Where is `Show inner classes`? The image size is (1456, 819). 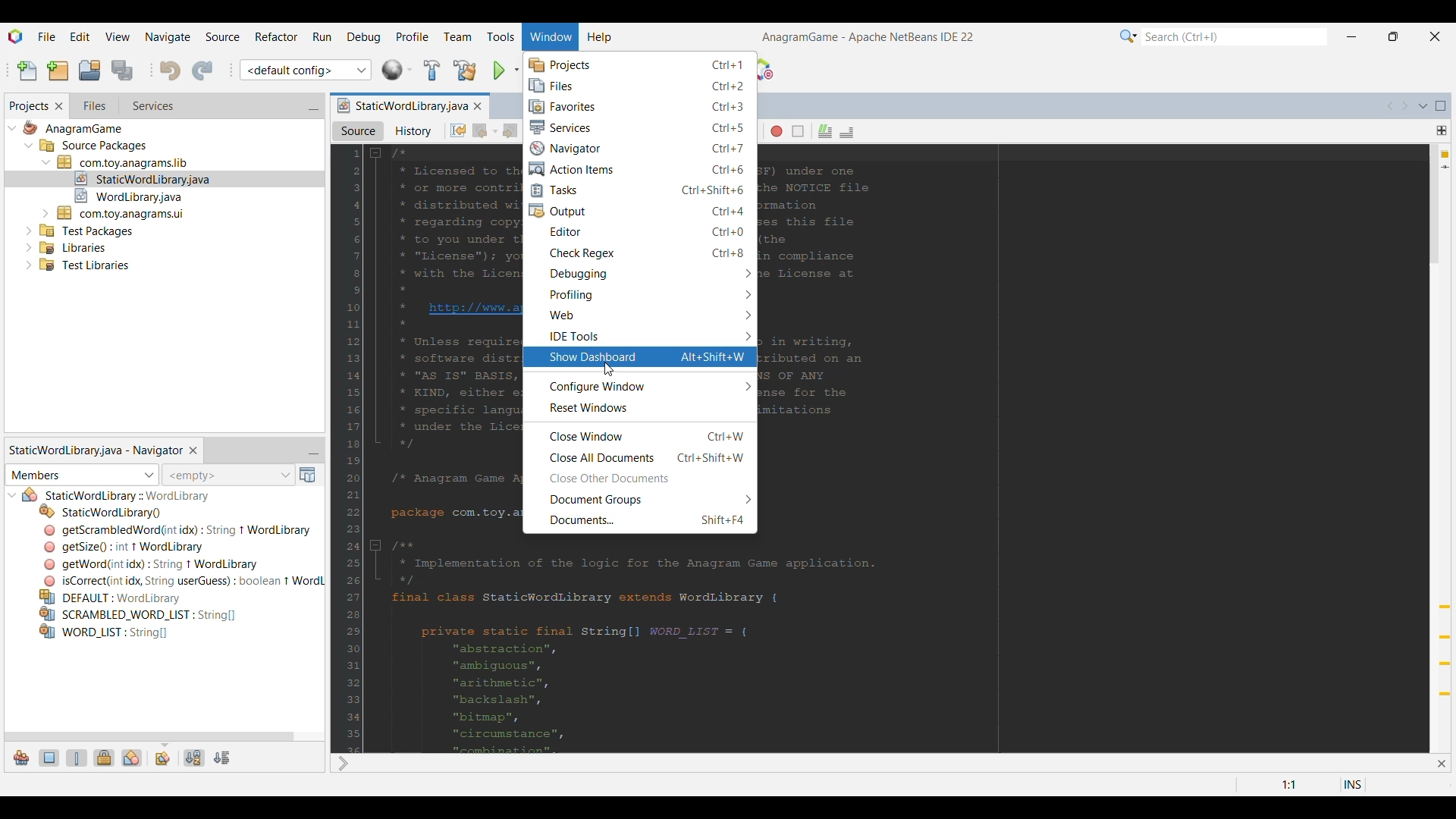
Show inner classes is located at coordinates (132, 758).